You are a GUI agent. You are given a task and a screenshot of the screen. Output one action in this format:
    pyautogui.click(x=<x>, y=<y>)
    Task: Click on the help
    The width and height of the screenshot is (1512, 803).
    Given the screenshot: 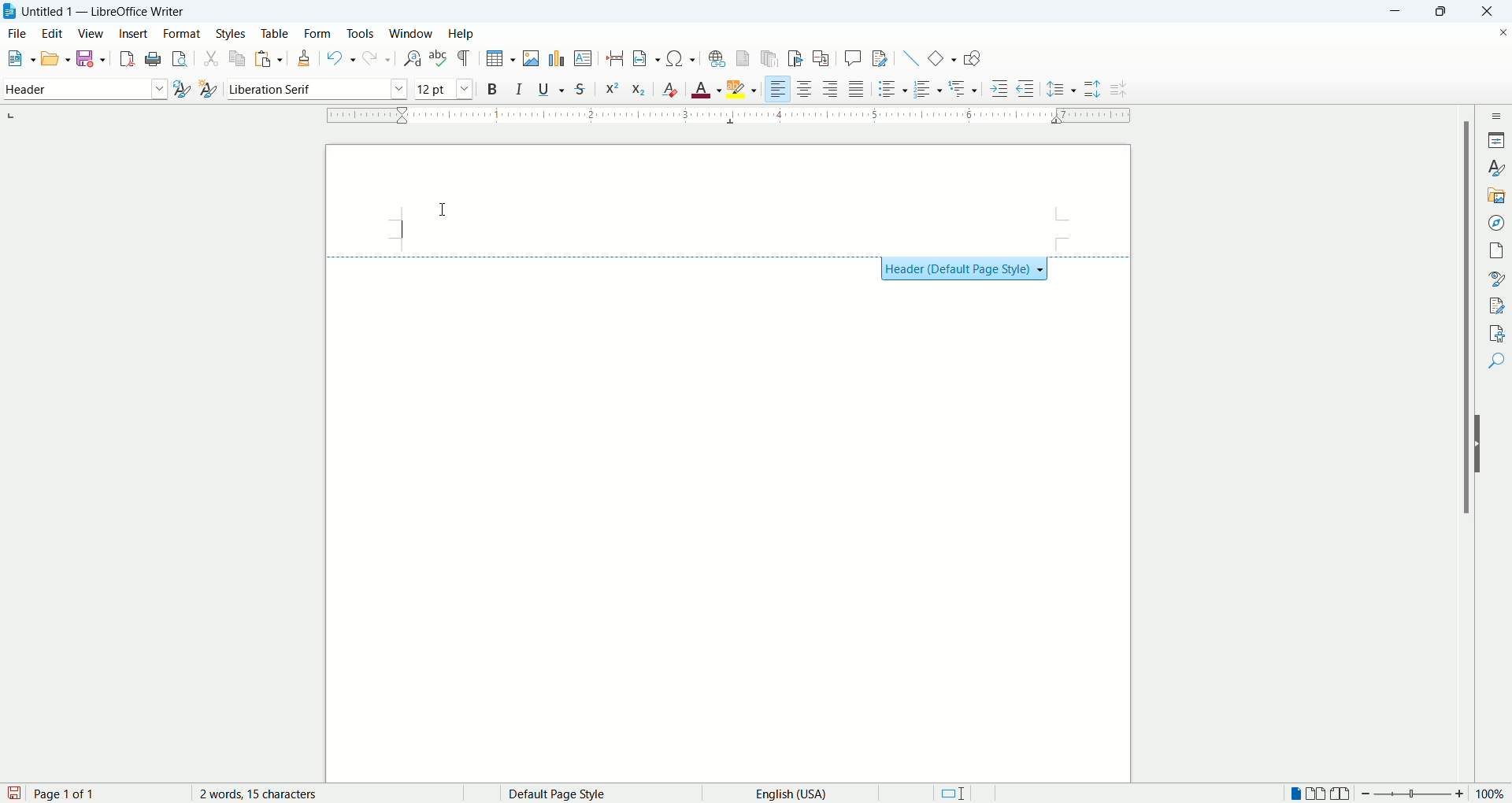 What is the action you would take?
    pyautogui.click(x=462, y=35)
    